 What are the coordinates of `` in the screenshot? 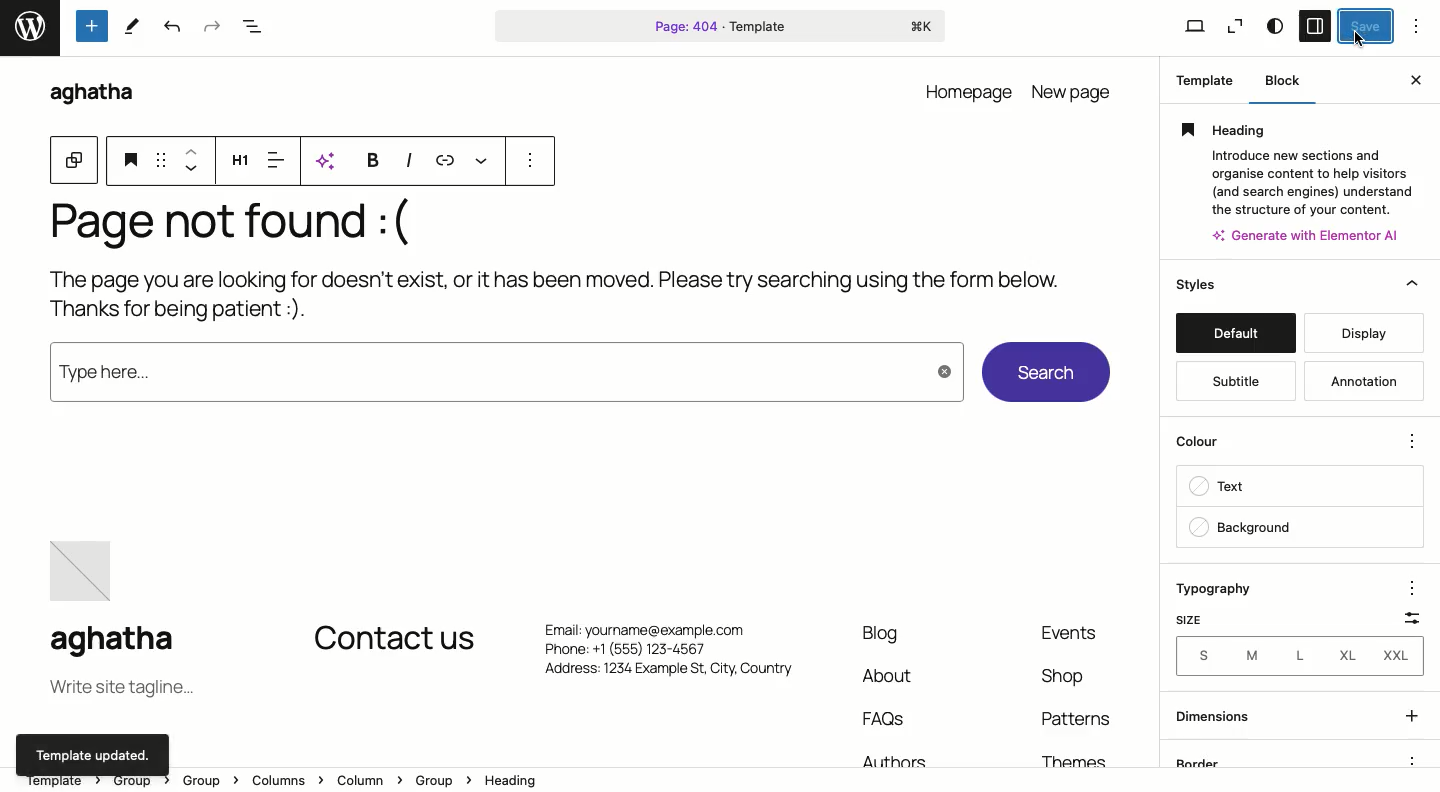 It's located at (550, 297).